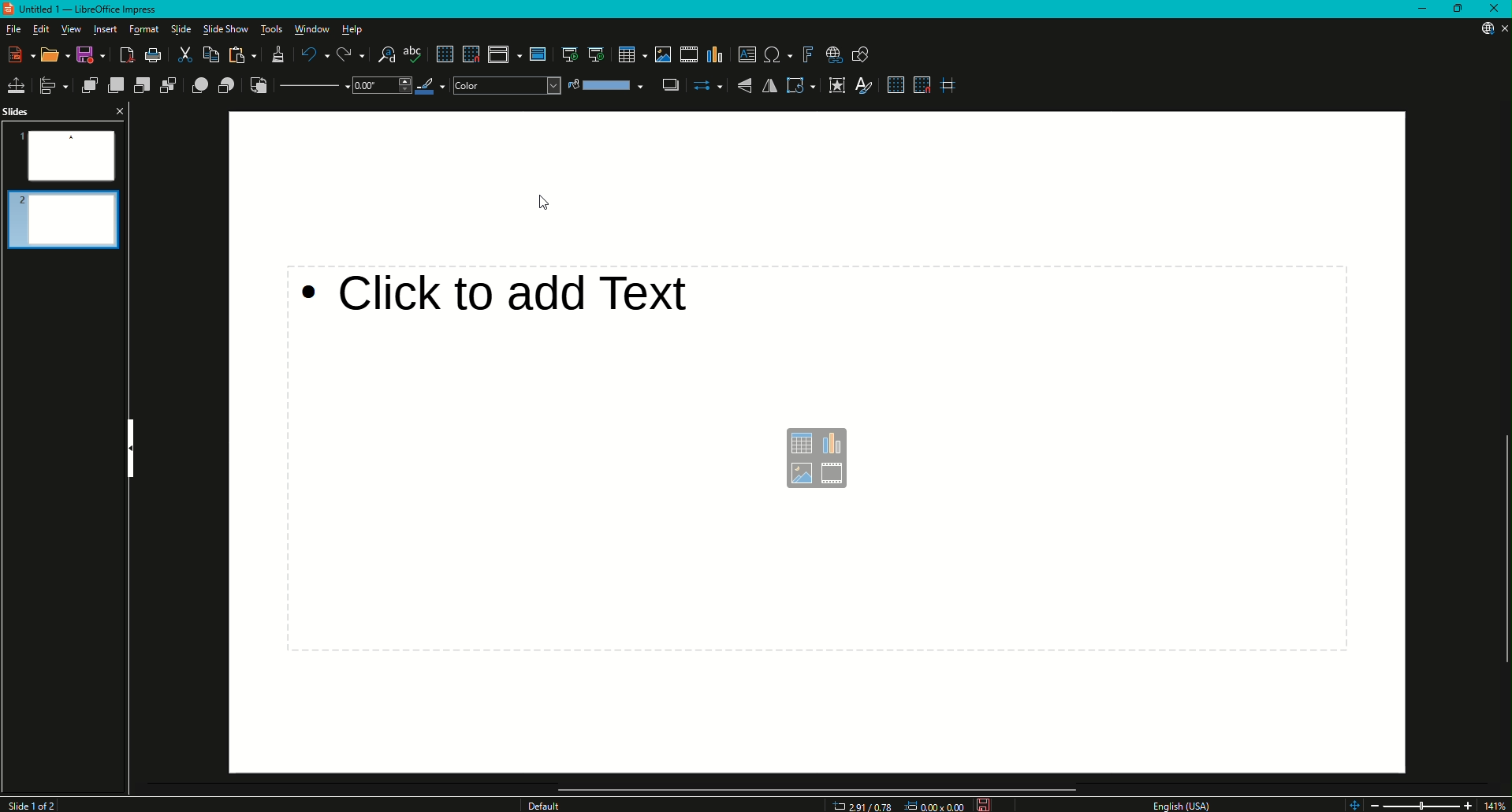  I want to click on , so click(547, 806).